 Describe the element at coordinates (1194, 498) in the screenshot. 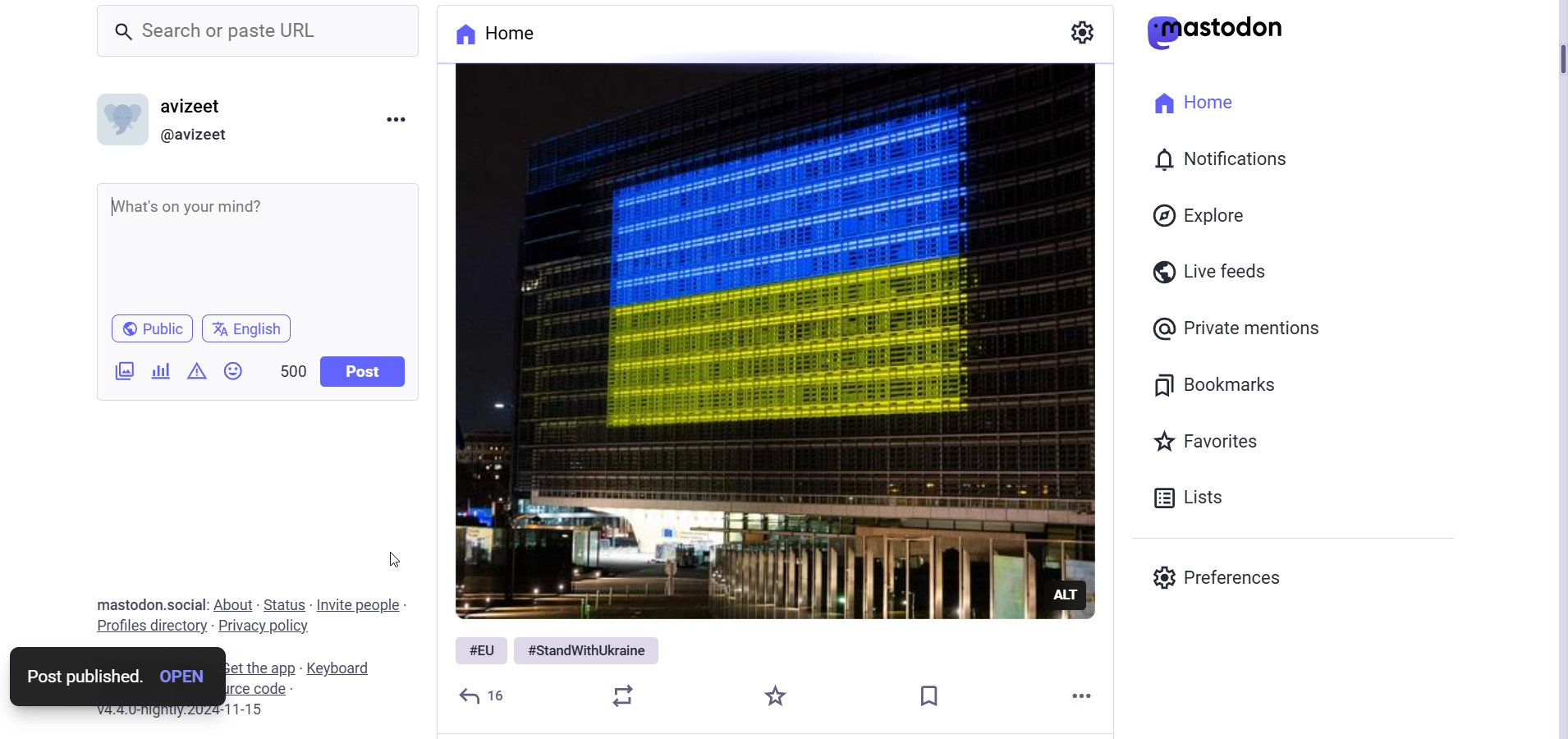

I see `Lists` at that location.